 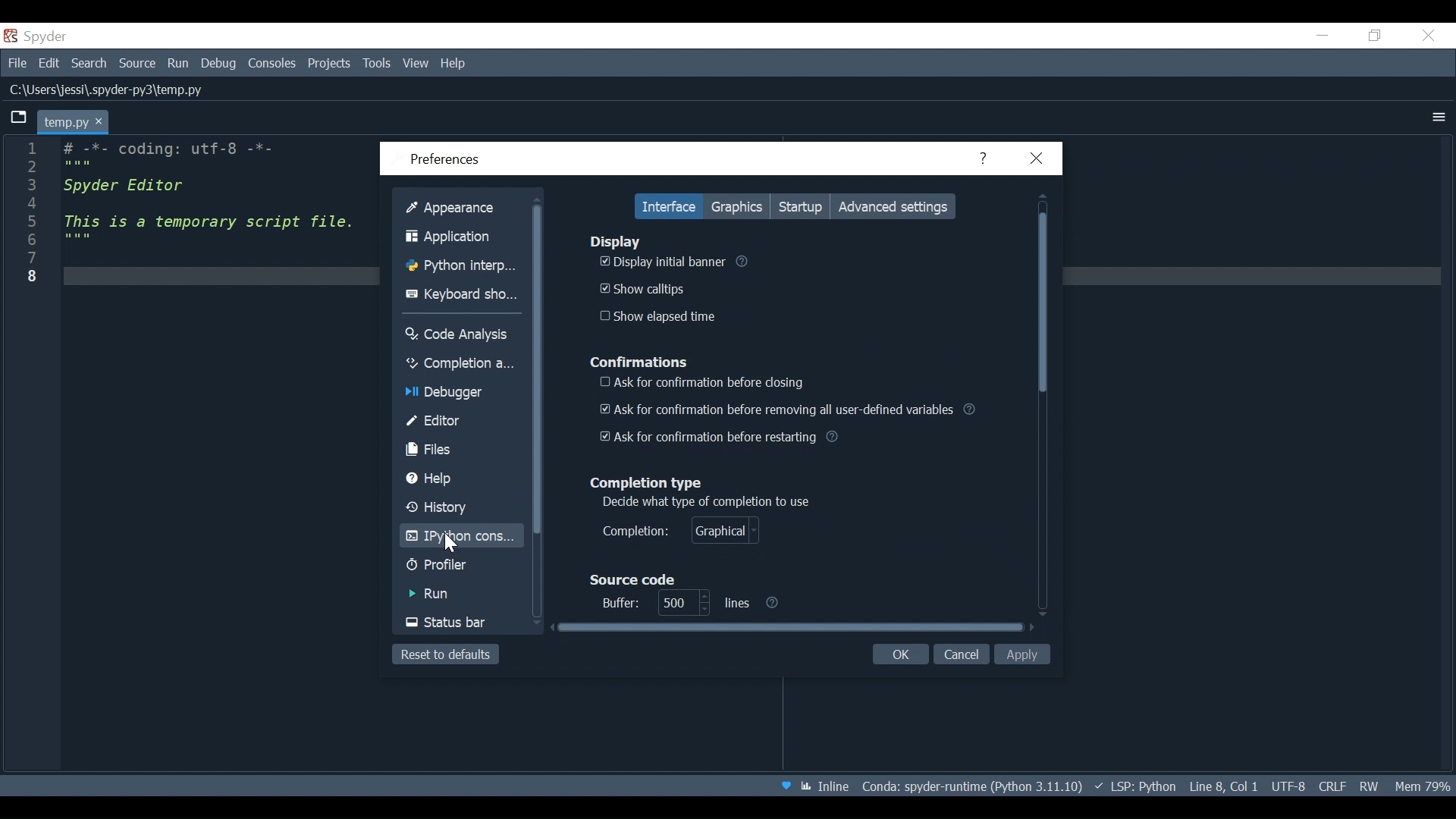 I want to click on advanced settings, so click(x=896, y=206).